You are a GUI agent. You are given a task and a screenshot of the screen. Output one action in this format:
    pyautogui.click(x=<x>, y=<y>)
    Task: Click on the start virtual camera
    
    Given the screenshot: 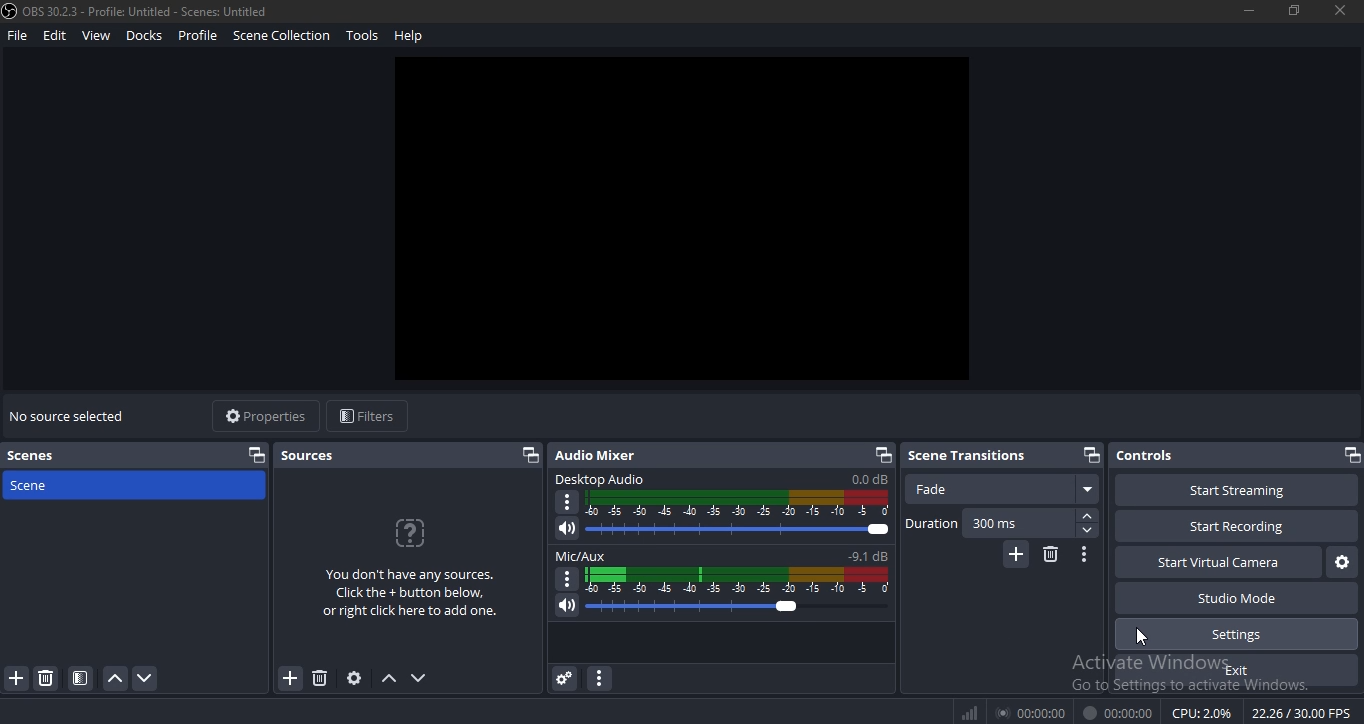 What is the action you would take?
    pyautogui.click(x=1339, y=563)
    